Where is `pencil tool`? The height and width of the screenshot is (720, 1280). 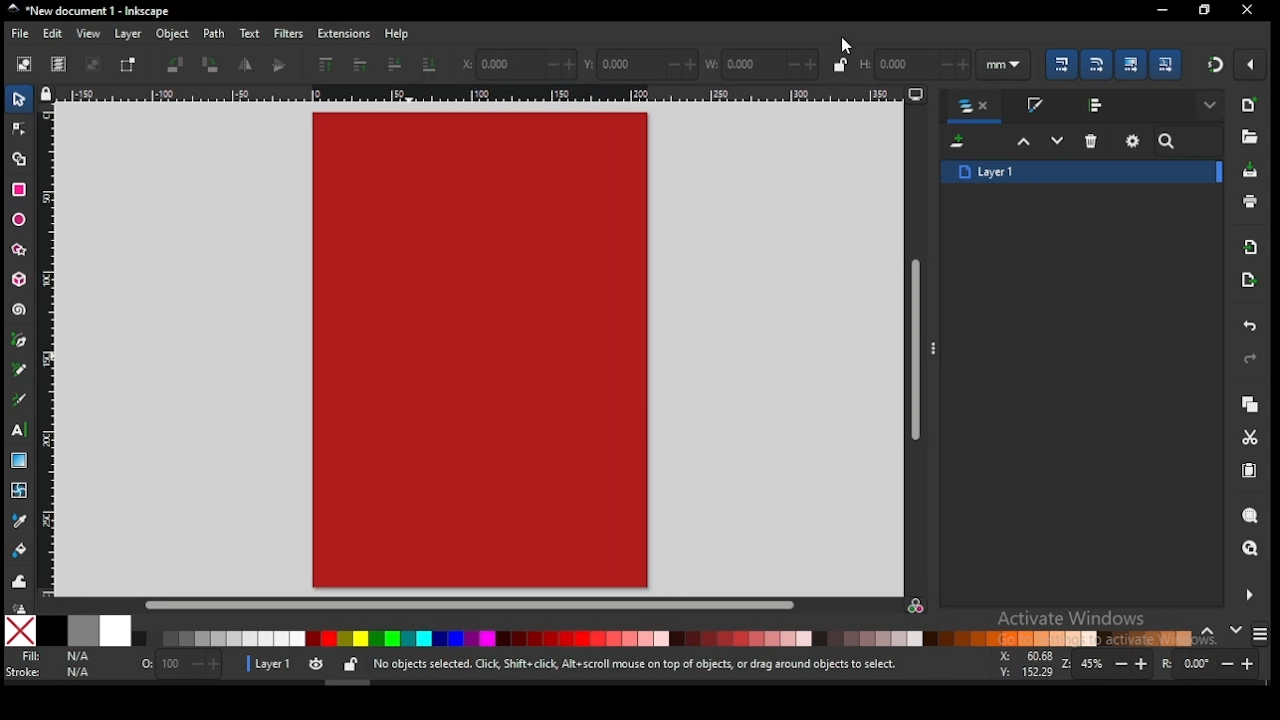
pencil tool is located at coordinates (21, 371).